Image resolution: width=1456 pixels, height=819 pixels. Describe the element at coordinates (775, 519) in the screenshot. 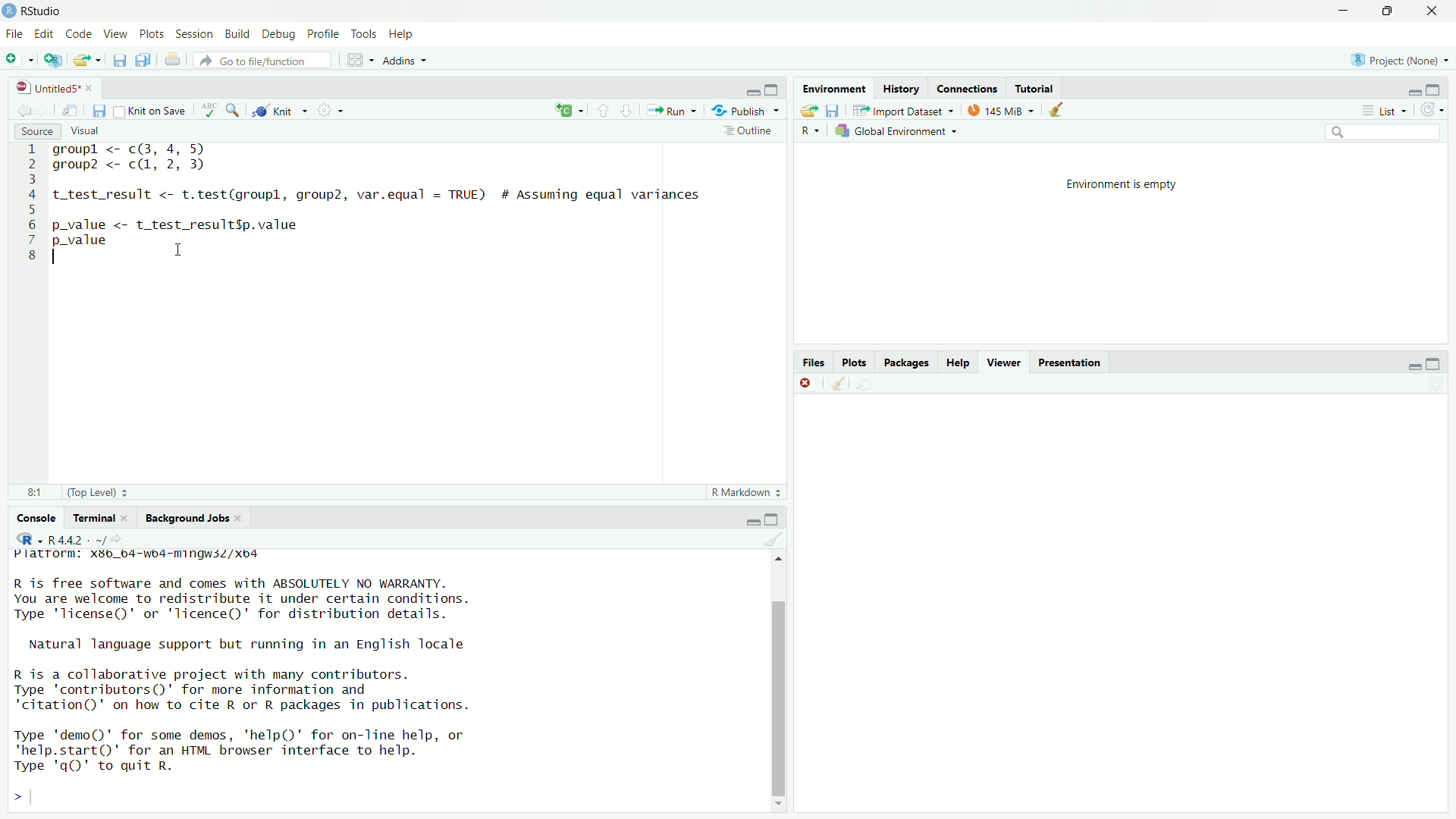

I see `maximise` at that location.